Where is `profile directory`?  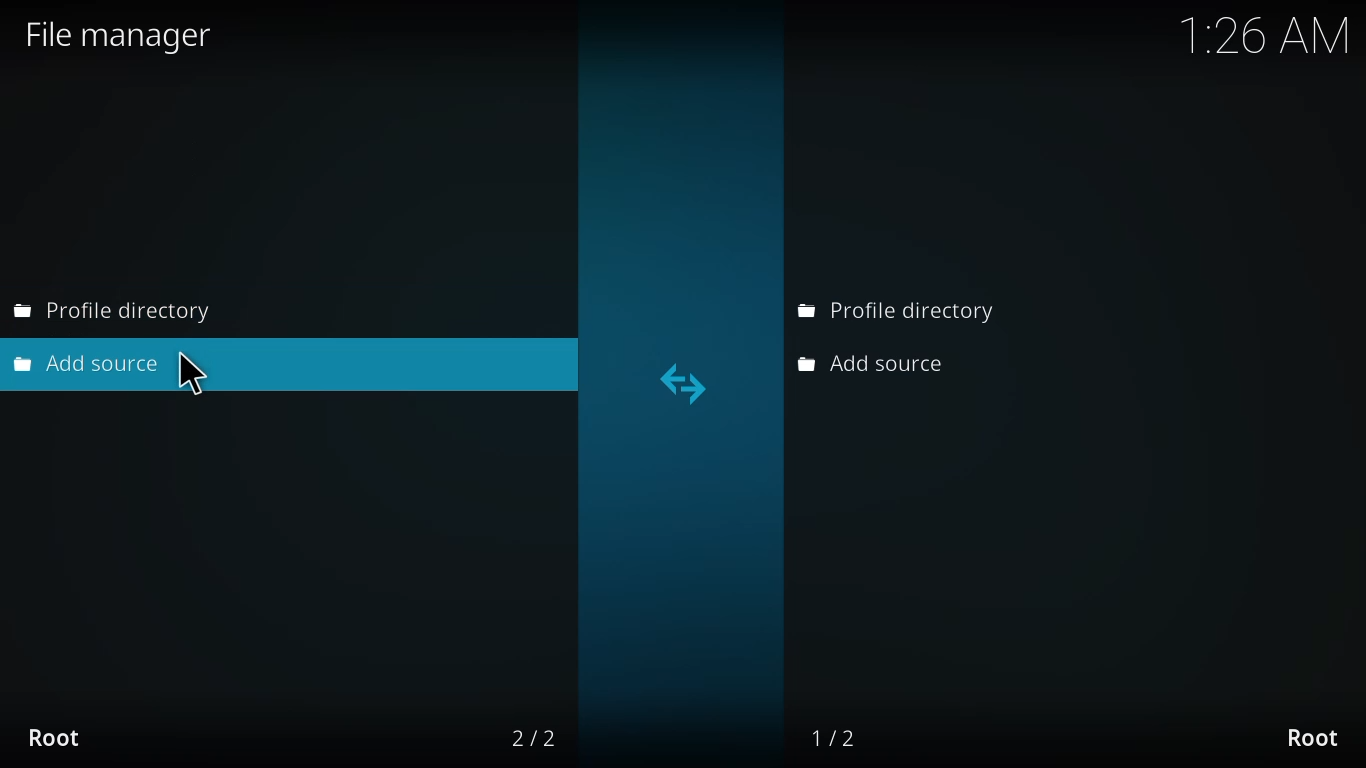 profile directory is located at coordinates (898, 310).